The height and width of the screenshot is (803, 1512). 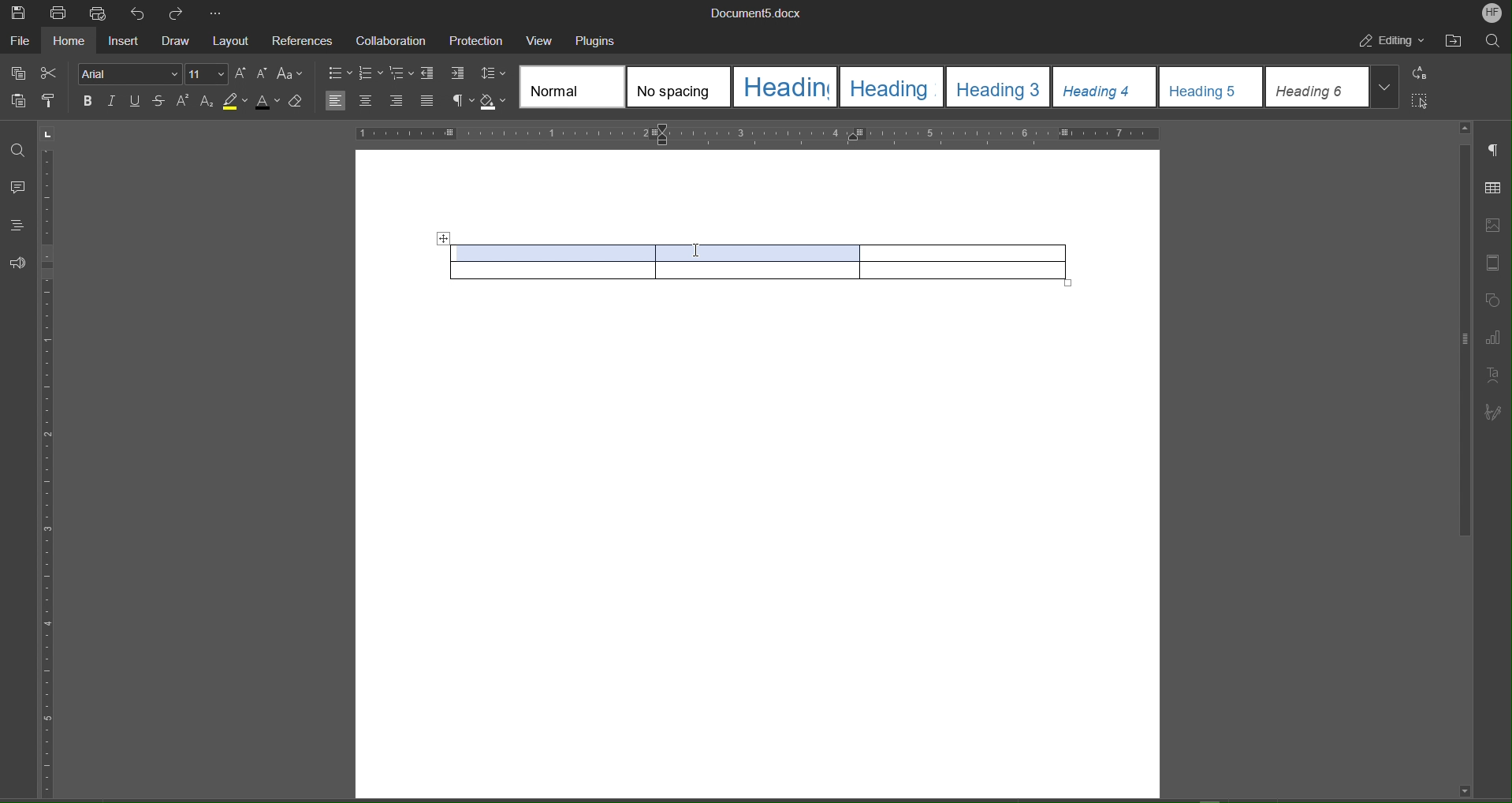 What do you see at coordinates (73, 43) in the screenshot?
I see `Home` at bounding box center [73, 43].